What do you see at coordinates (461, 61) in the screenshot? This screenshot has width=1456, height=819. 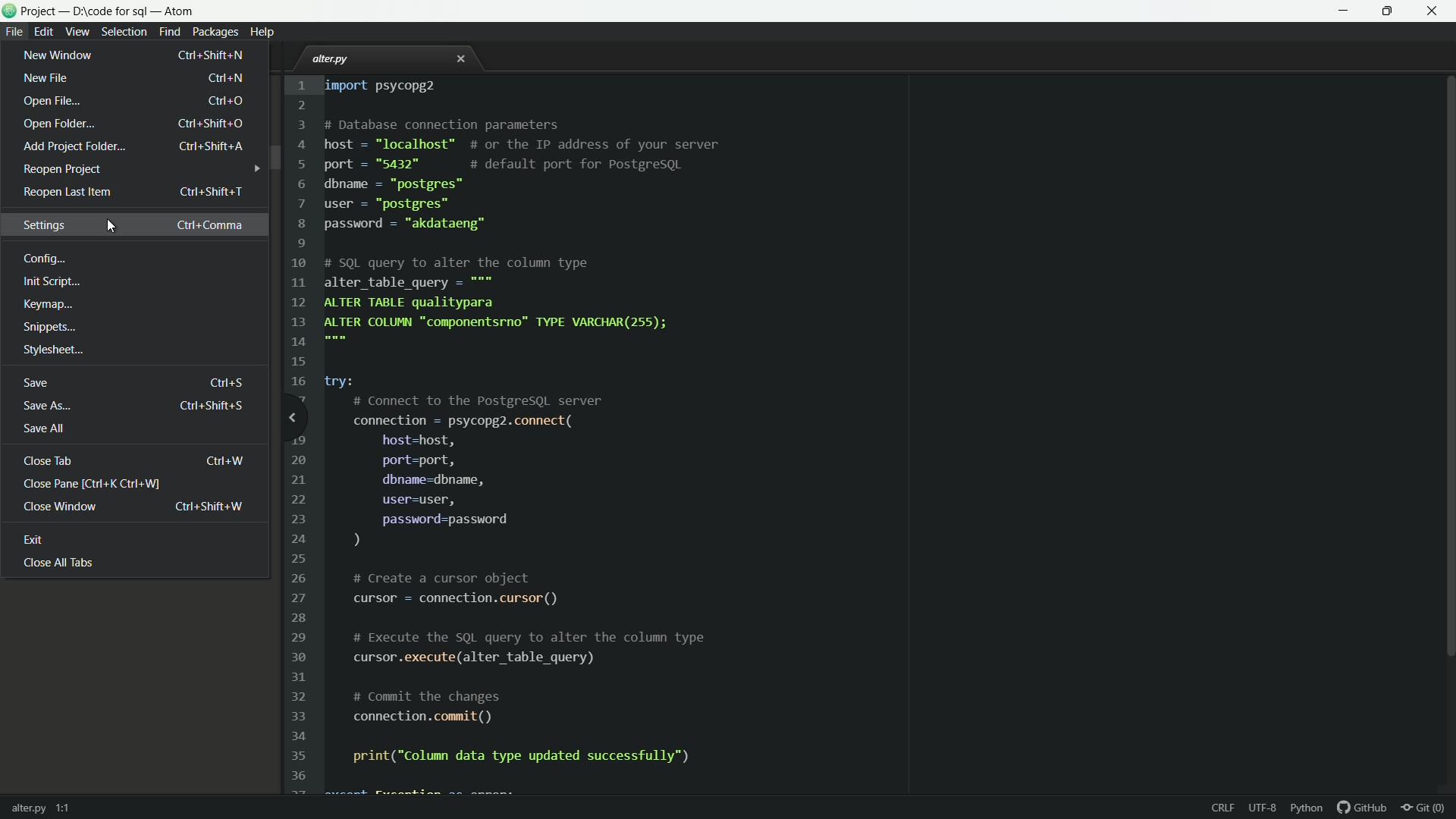 I see `close` at bounding box center [461, 61].